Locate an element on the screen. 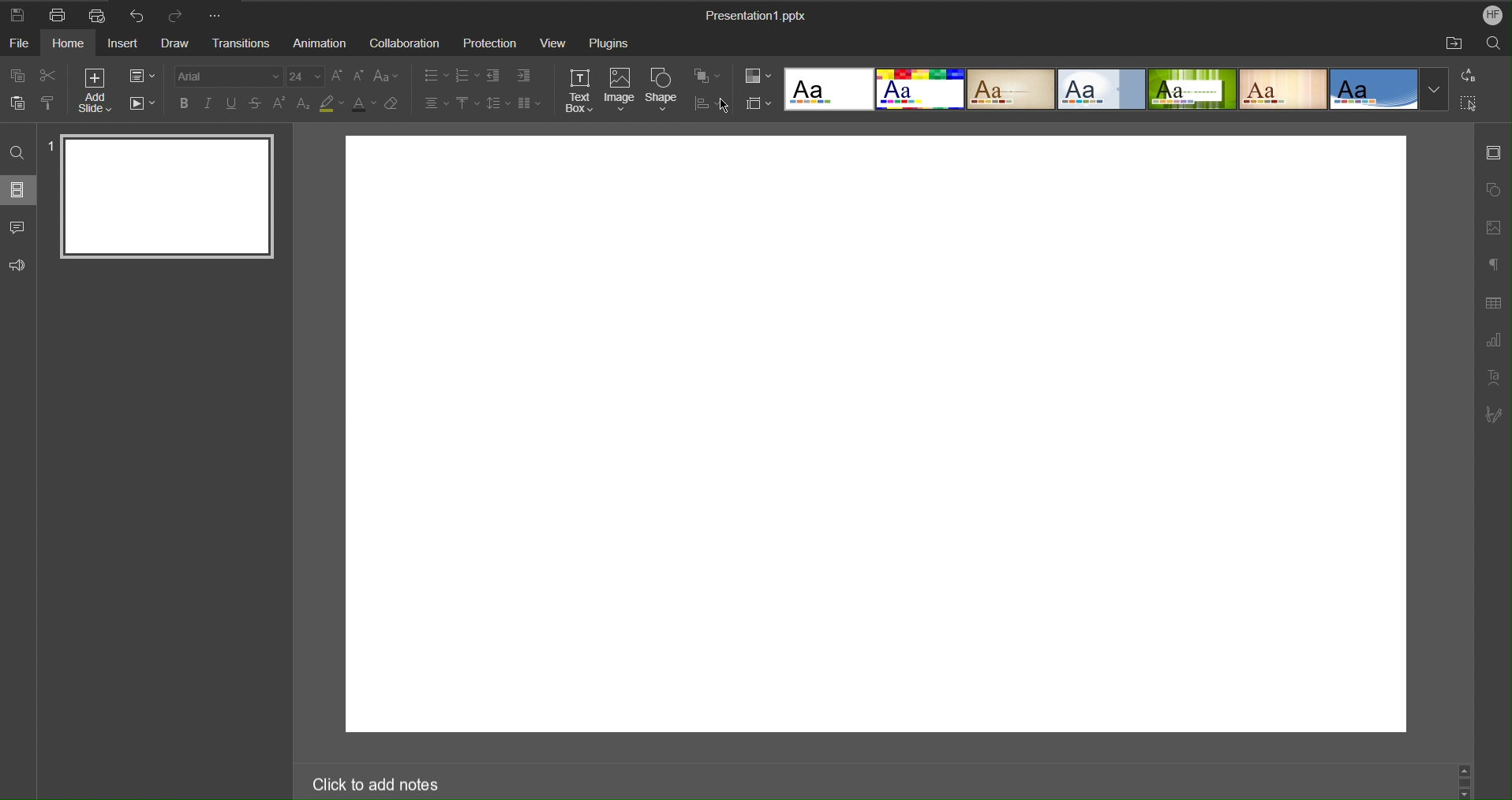 The image size is (1512, 800). Animation is located at coordinates (315, 41).